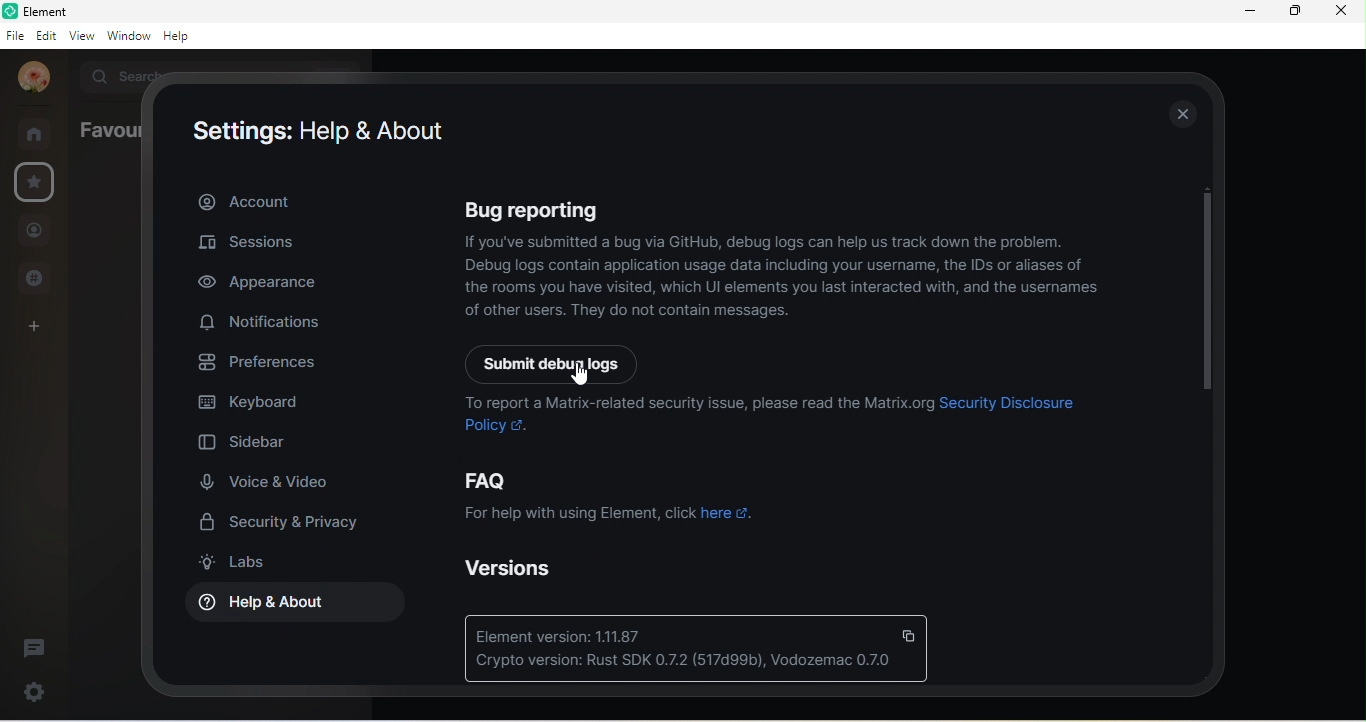 The height and width of the screenshot is (722, 1366). Describe the element at coordinates (42, 324) in the screenshot. I see `create a space` at that location.